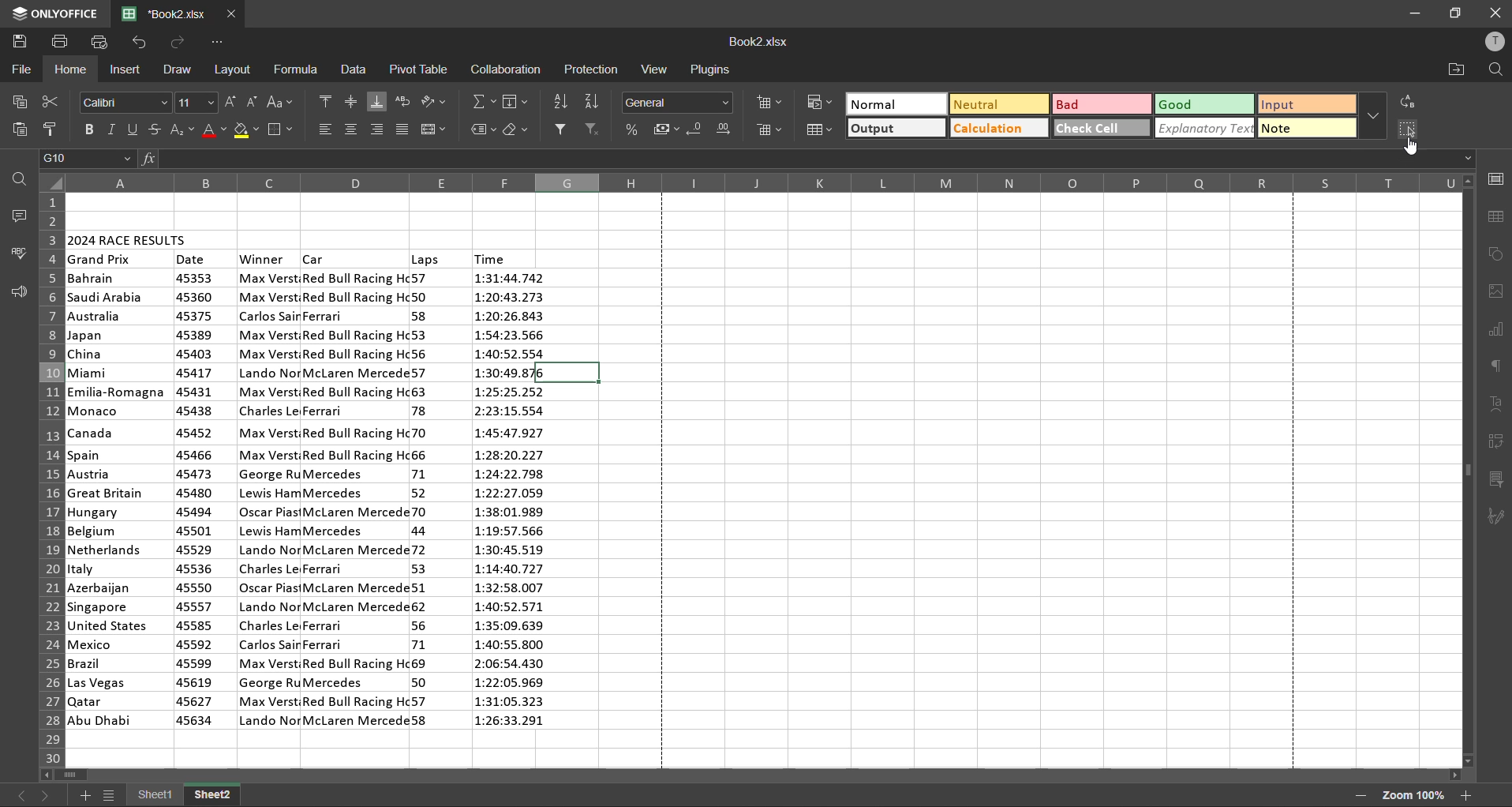  I want to click on selected cell, so click(567, 373).